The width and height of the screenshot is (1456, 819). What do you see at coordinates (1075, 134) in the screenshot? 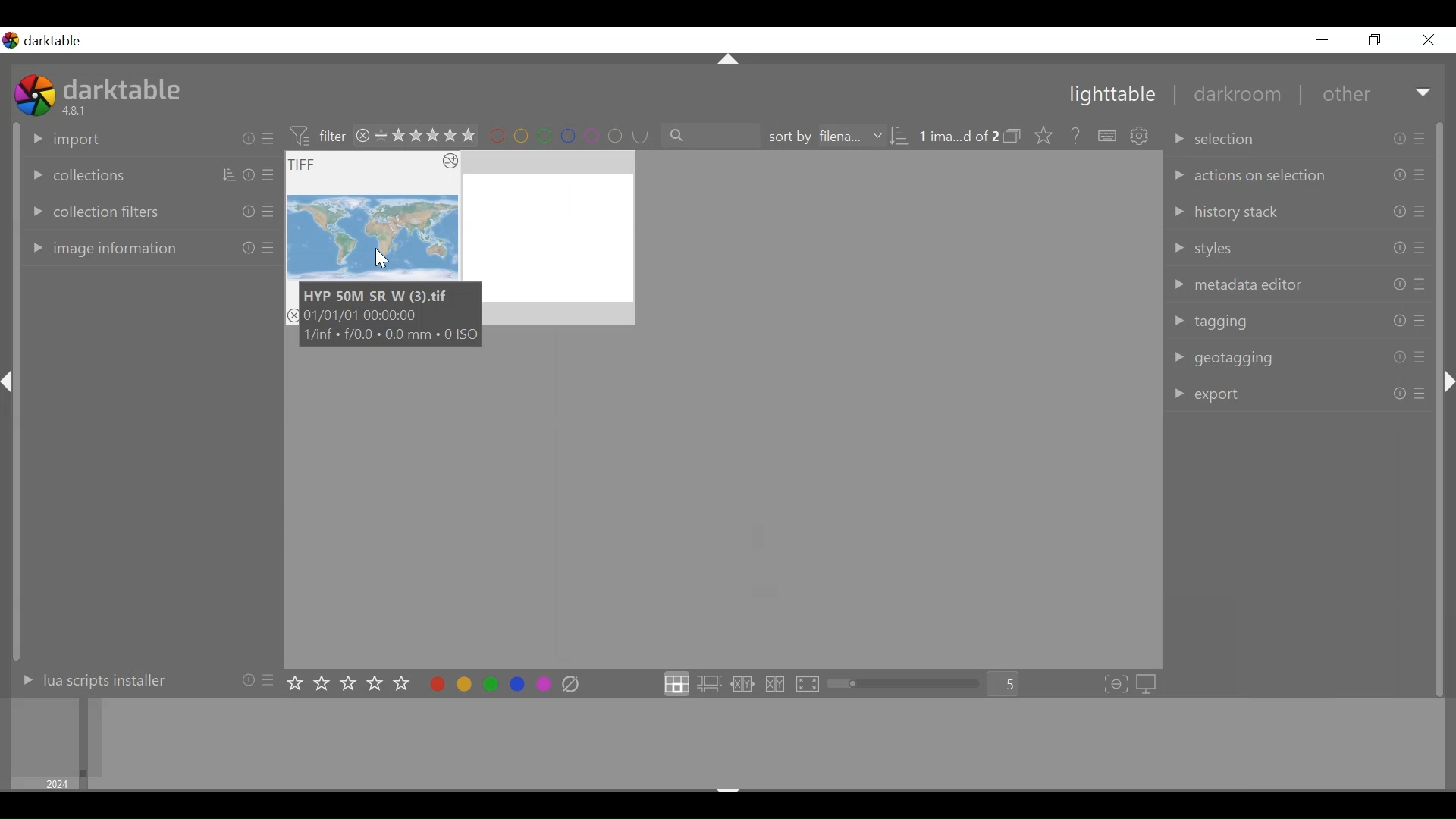
I see `Help` at bounding box center [1075, 134].